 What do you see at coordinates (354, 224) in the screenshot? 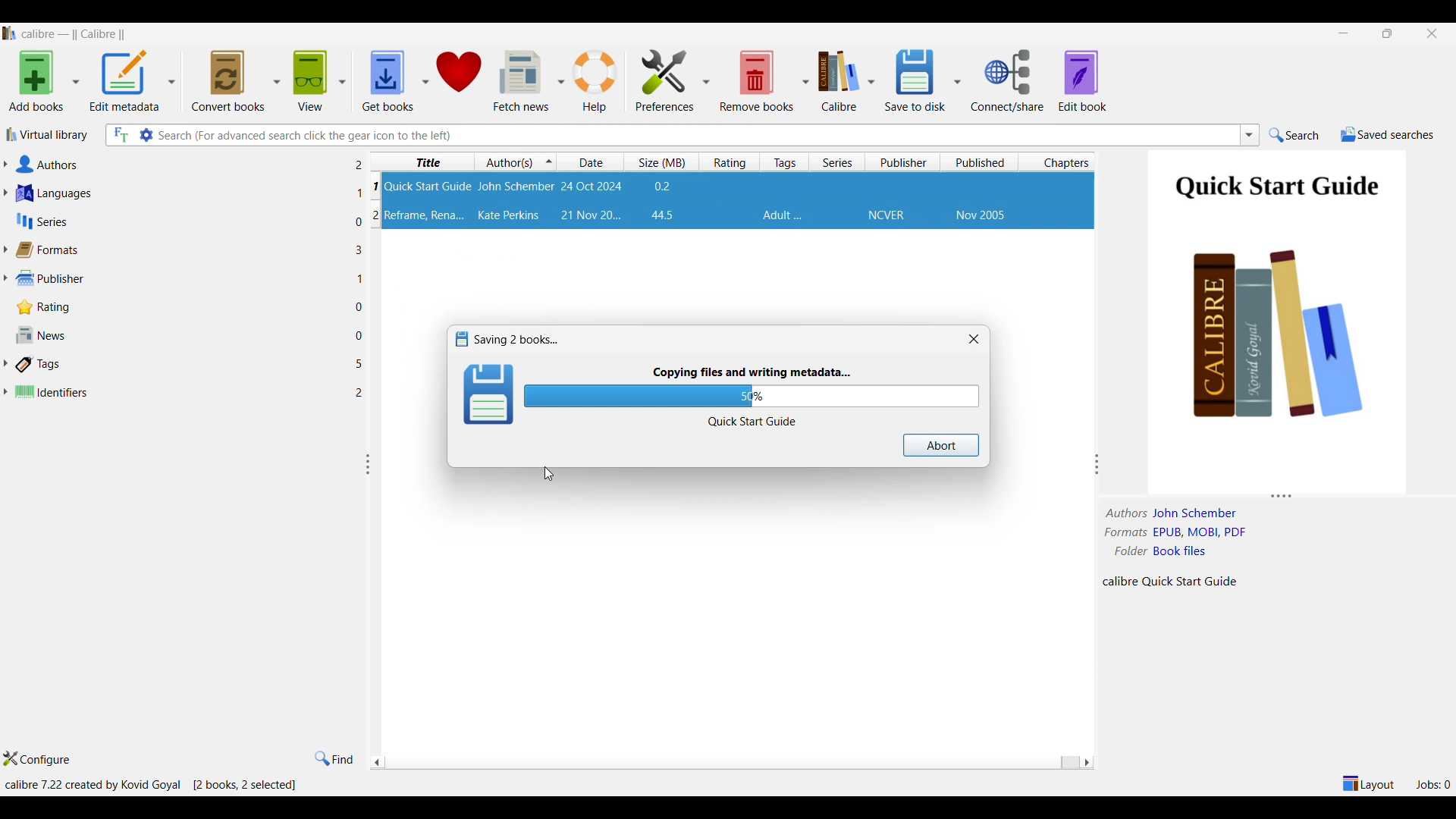
I see `0` at bounding box center [354, 224].